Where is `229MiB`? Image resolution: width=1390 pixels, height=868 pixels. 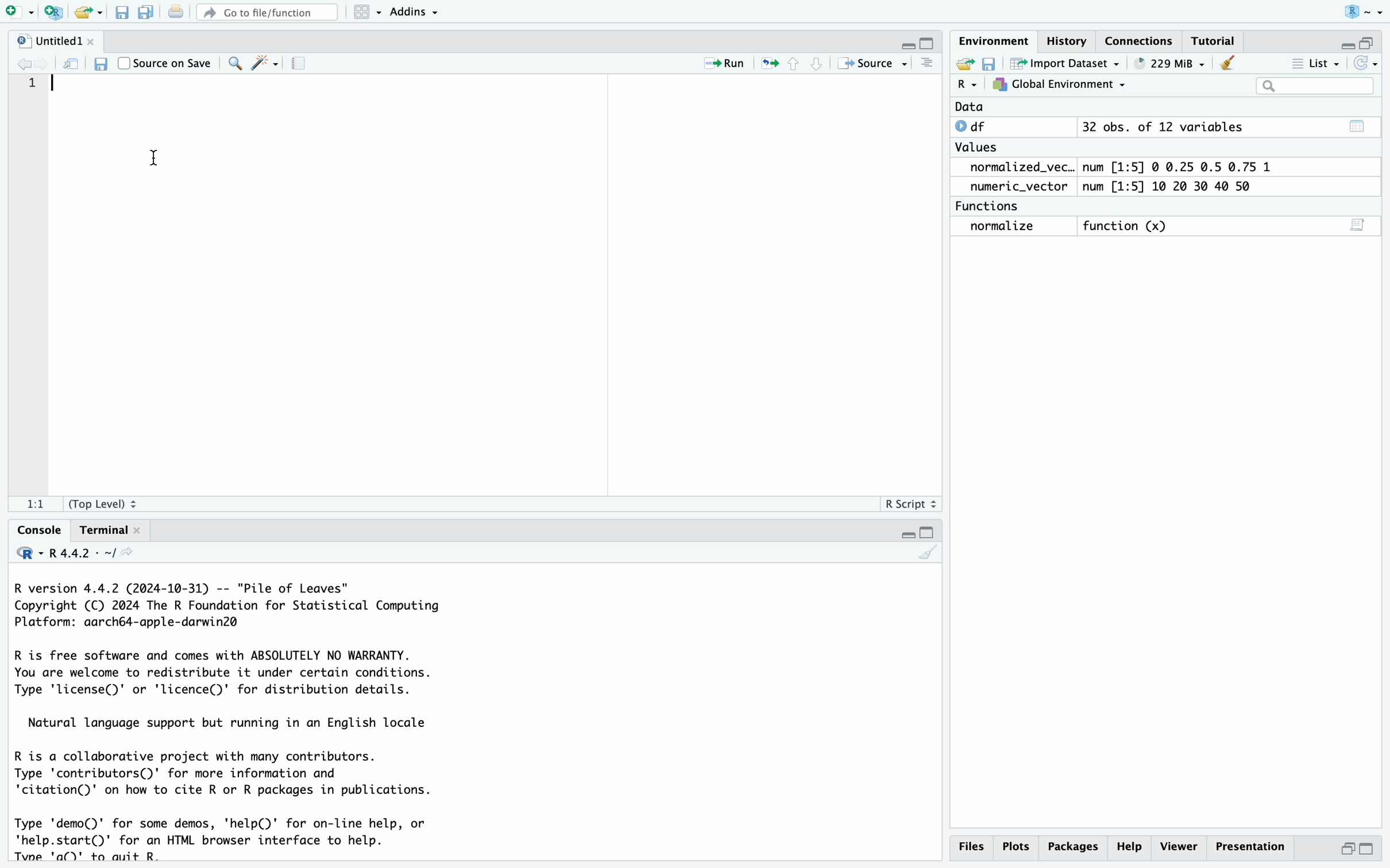
229MiB is located at coordinates (1167, 63).